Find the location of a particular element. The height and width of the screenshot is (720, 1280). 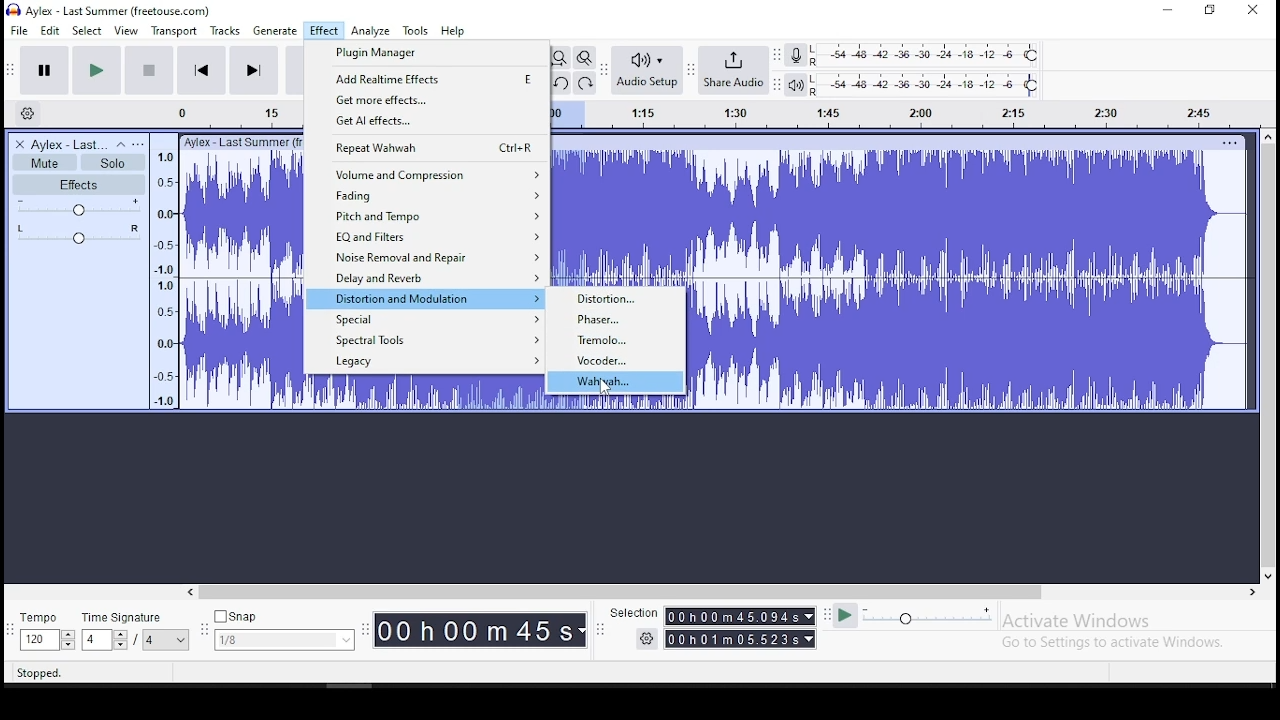

tools is located at coordinates (416, 30).